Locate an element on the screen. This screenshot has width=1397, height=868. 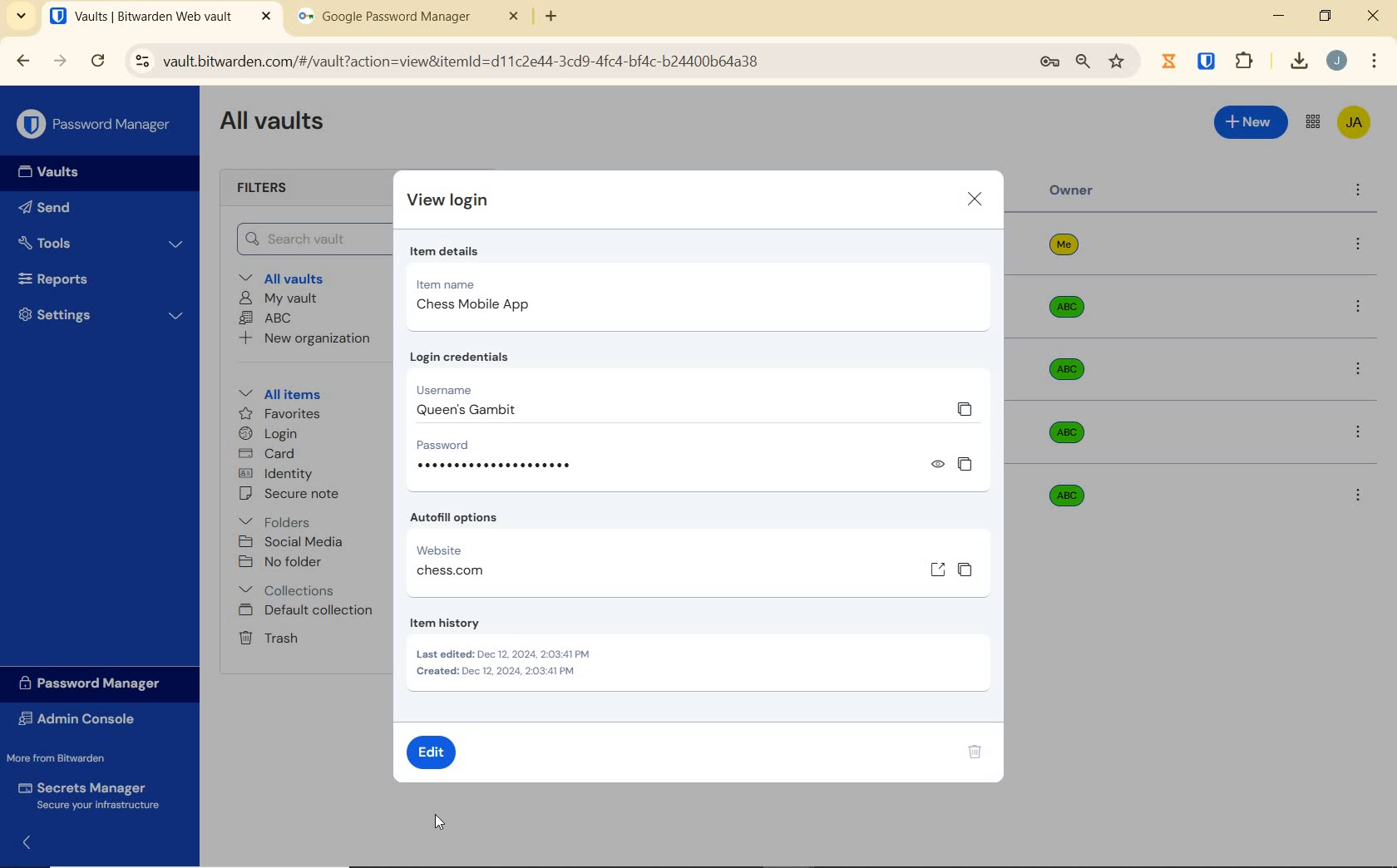
Owner organization is located at coordinates (1073, 251).